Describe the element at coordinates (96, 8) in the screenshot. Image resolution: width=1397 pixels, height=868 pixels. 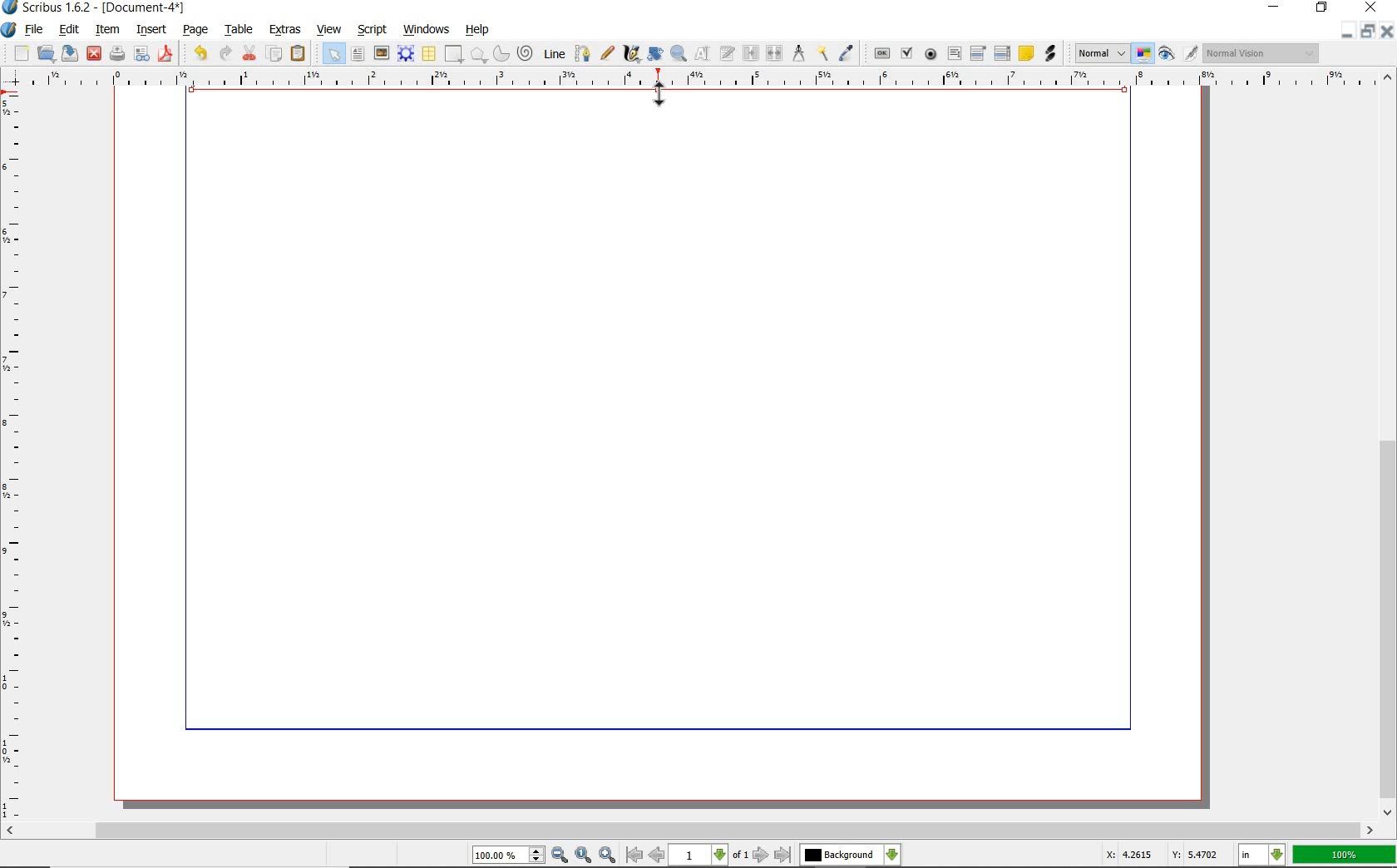
I see `Scribus 1.6.2 - [Document-4*]` at that location.